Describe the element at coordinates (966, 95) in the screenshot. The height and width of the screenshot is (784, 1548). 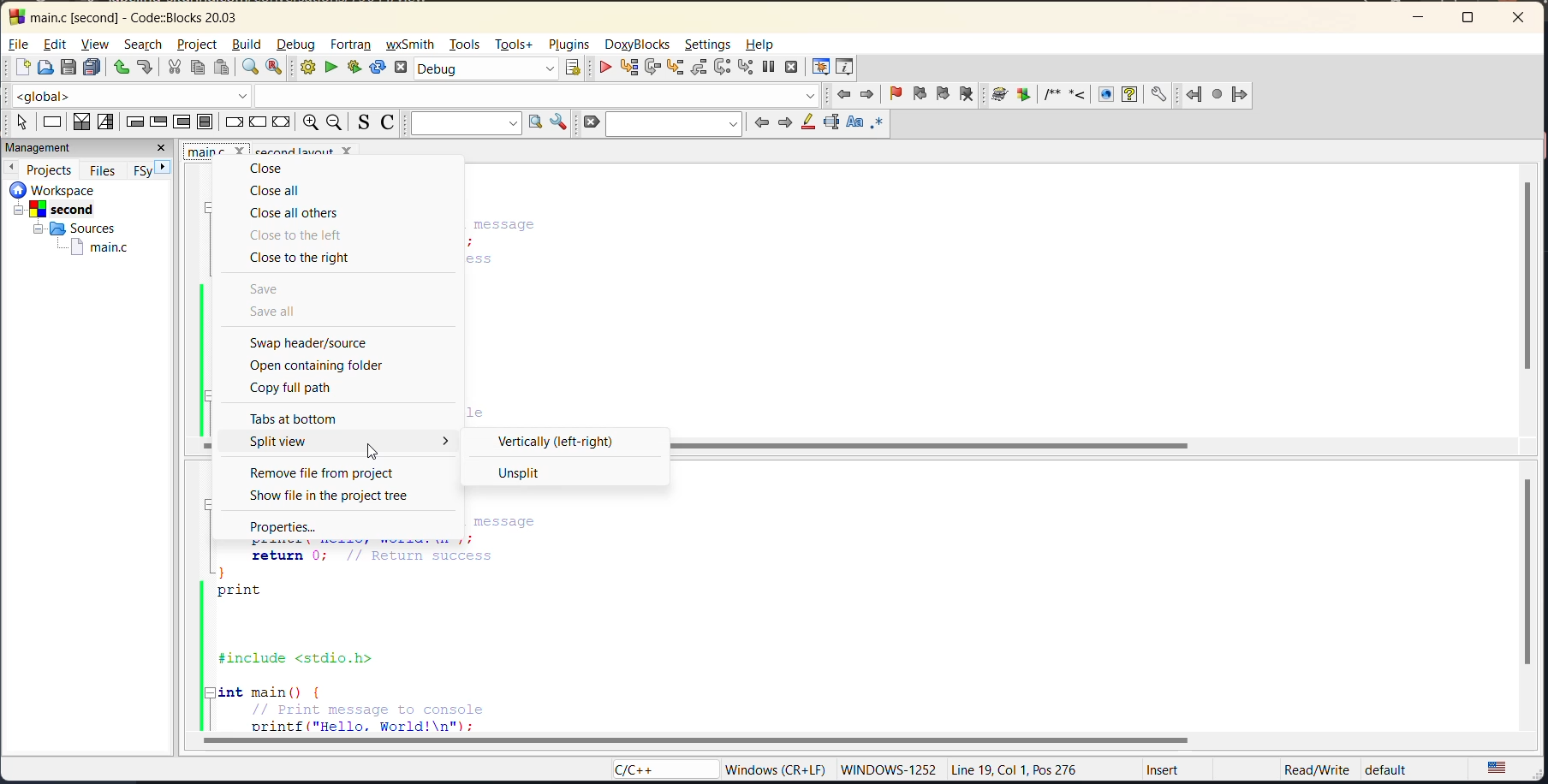
I see `clear bookmark` at that location.